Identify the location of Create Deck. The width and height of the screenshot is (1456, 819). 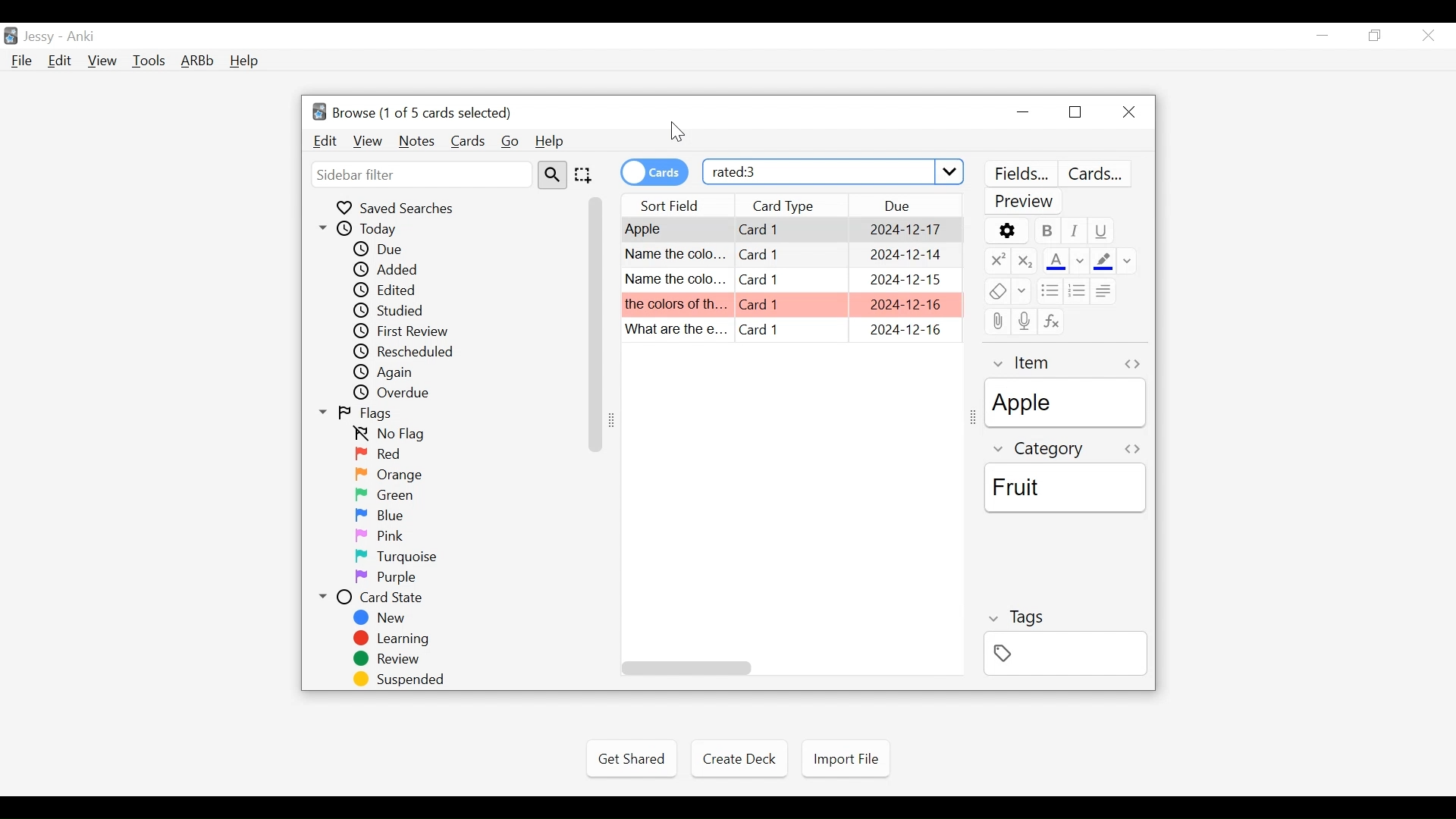
(739, 758).